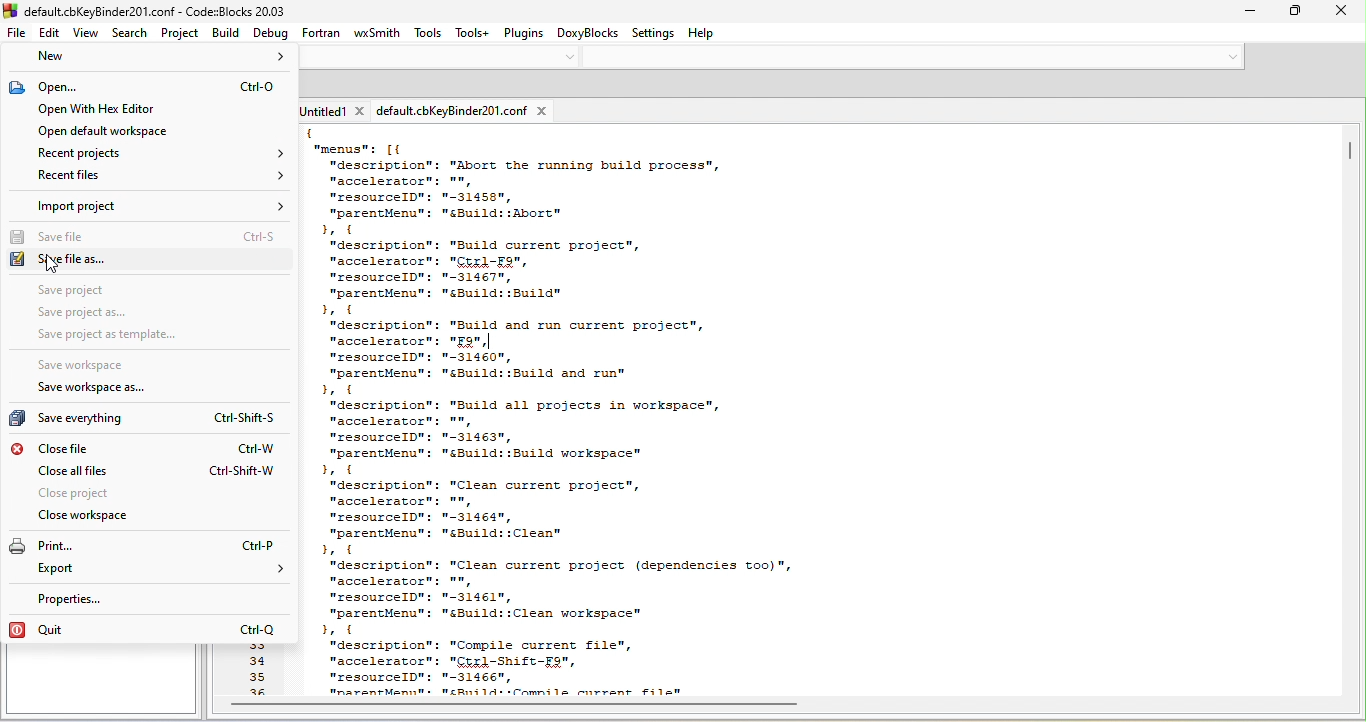 The width and height of the screenshot is (1366, 722). What do you see at coordinates (652, 31) in the screenshot?
I see `settings` at bounding box center [652, 31].